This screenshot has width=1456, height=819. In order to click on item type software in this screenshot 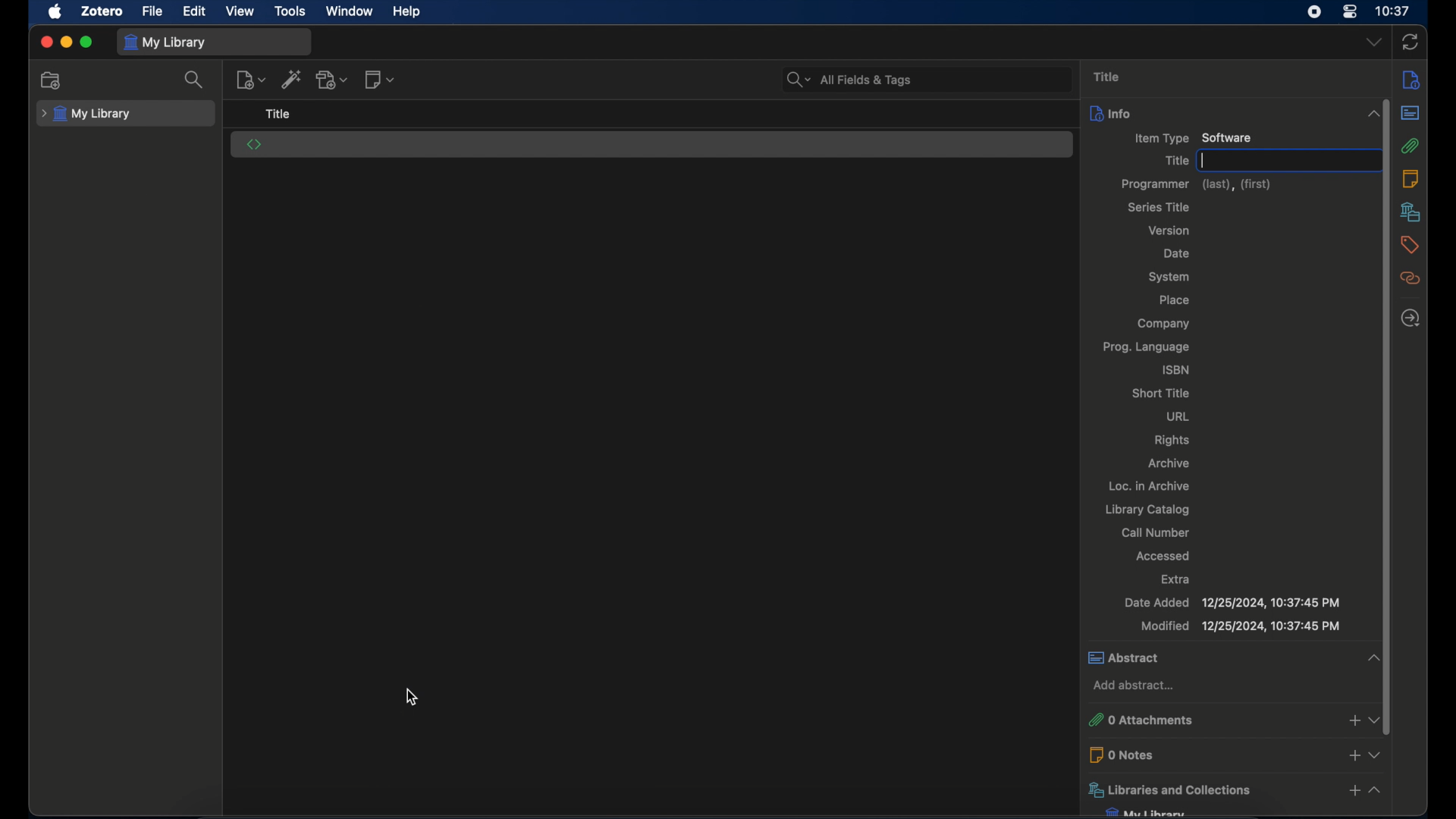, I will do `click(1191, 137)`.